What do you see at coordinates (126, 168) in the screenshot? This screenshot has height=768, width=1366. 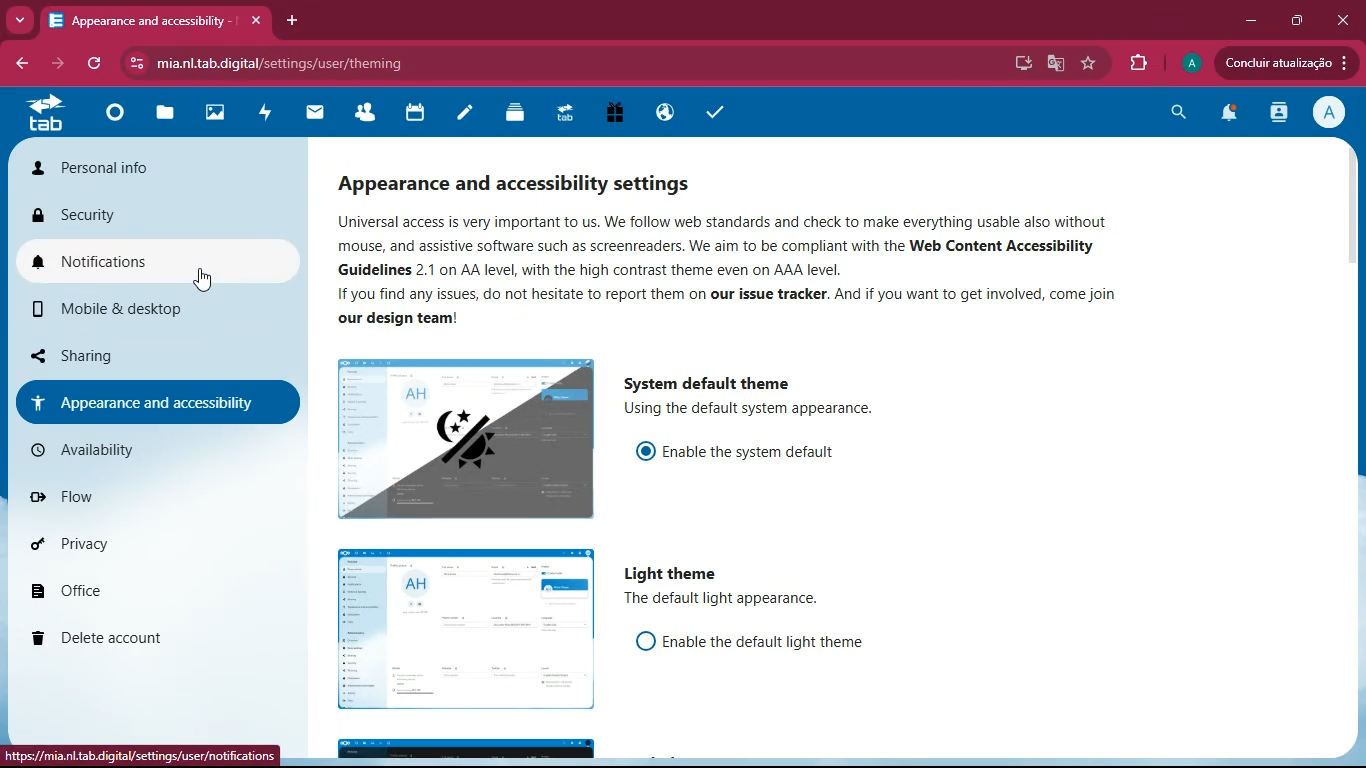 I see `personal info` at bounding box center [126, 168].